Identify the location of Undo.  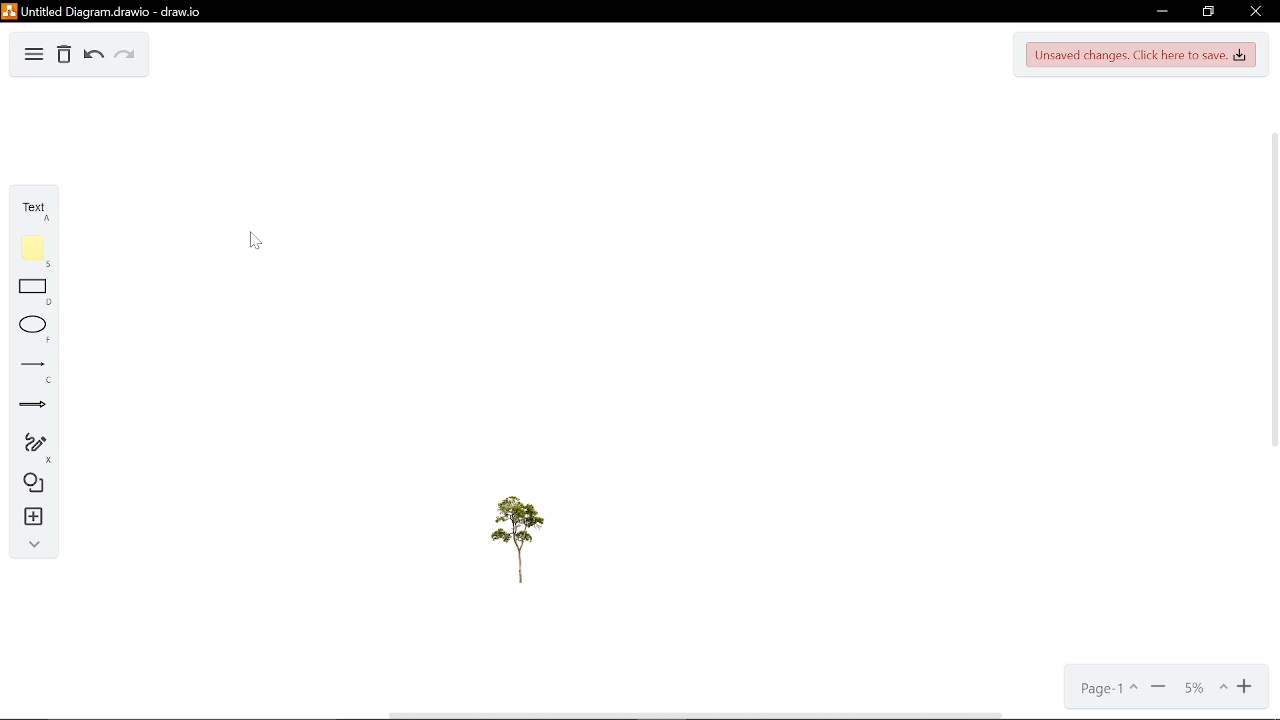
(91, 57).